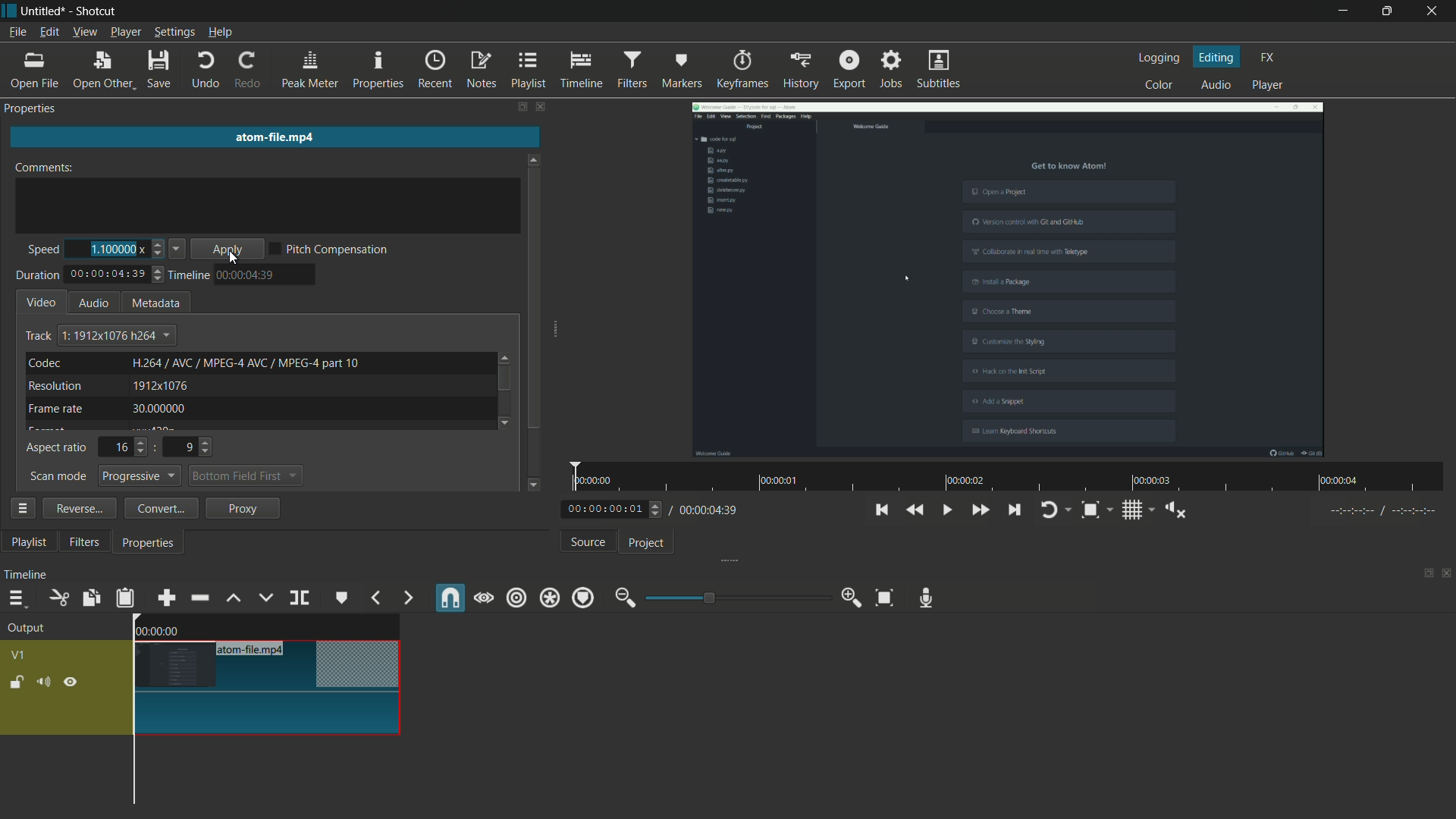 Image resolution: width=1456 pixels, height=819 pixels. Describe the element at coordinates (632, 69) in the screenshot. I see `filters` at that location.